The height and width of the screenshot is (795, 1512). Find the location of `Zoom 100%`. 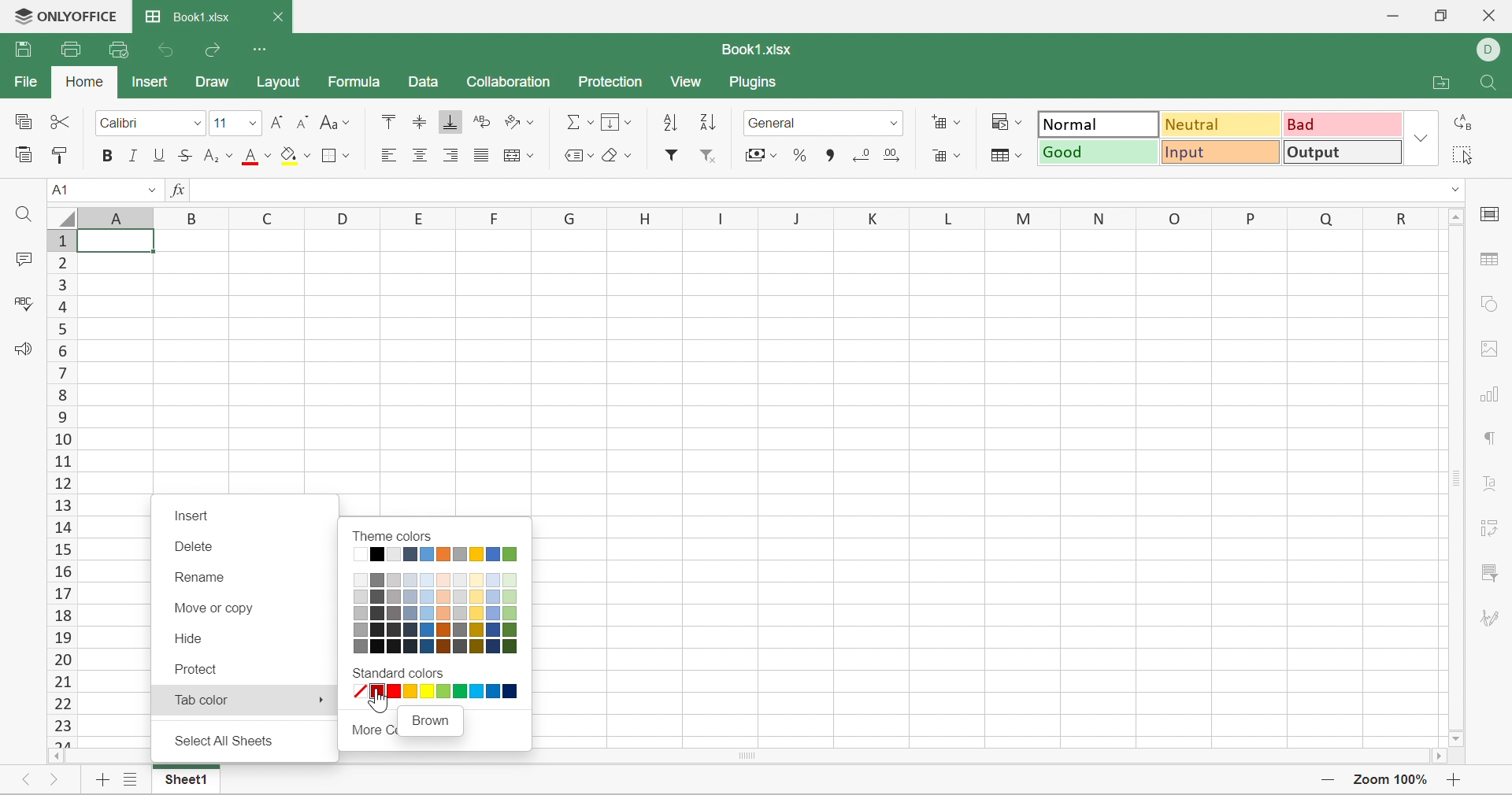

Zoom 100% is located at coordinates (1392, 782).